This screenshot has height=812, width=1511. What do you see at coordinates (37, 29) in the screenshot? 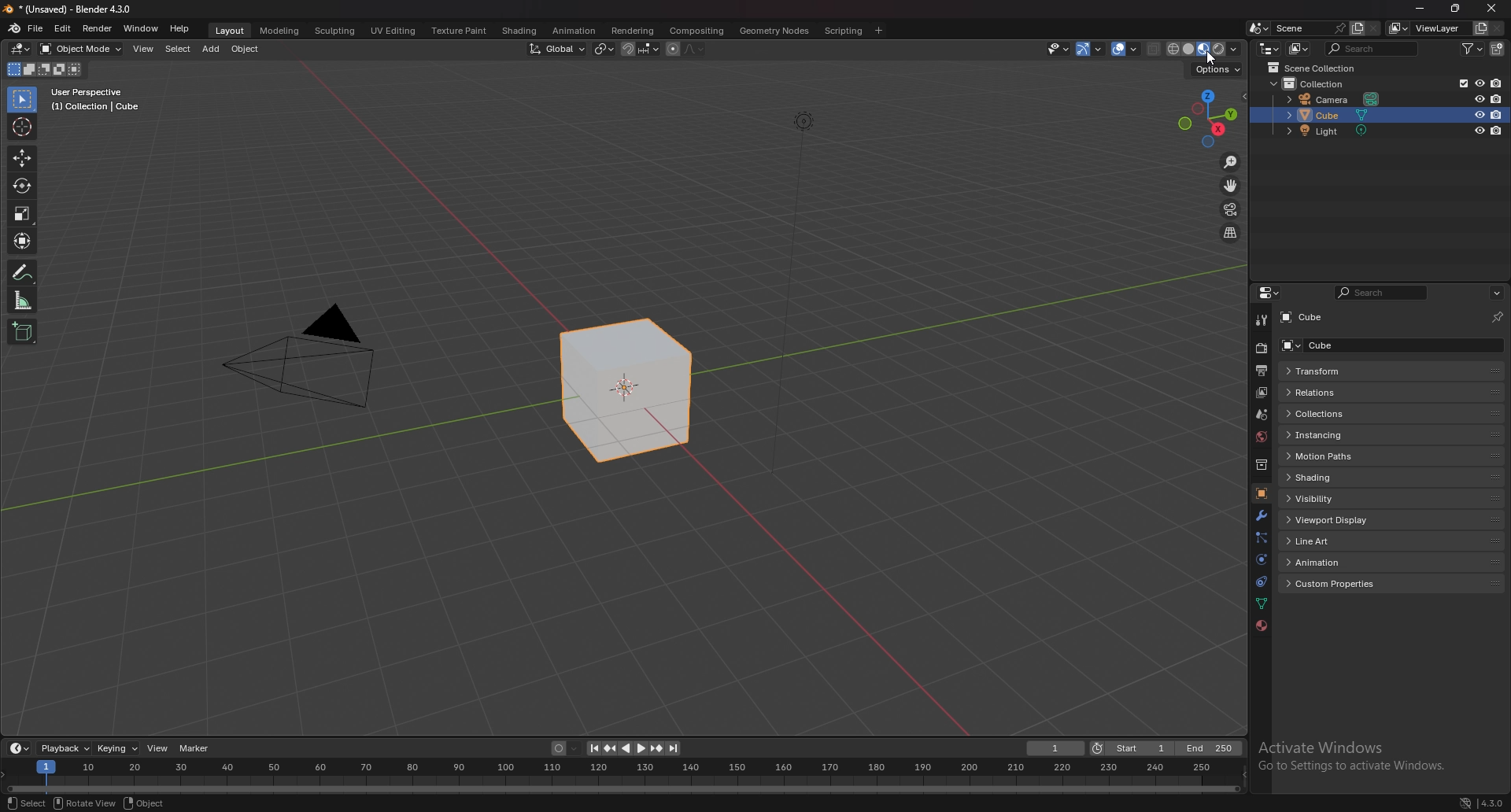
I see `file` at bounding box center [37, 29].